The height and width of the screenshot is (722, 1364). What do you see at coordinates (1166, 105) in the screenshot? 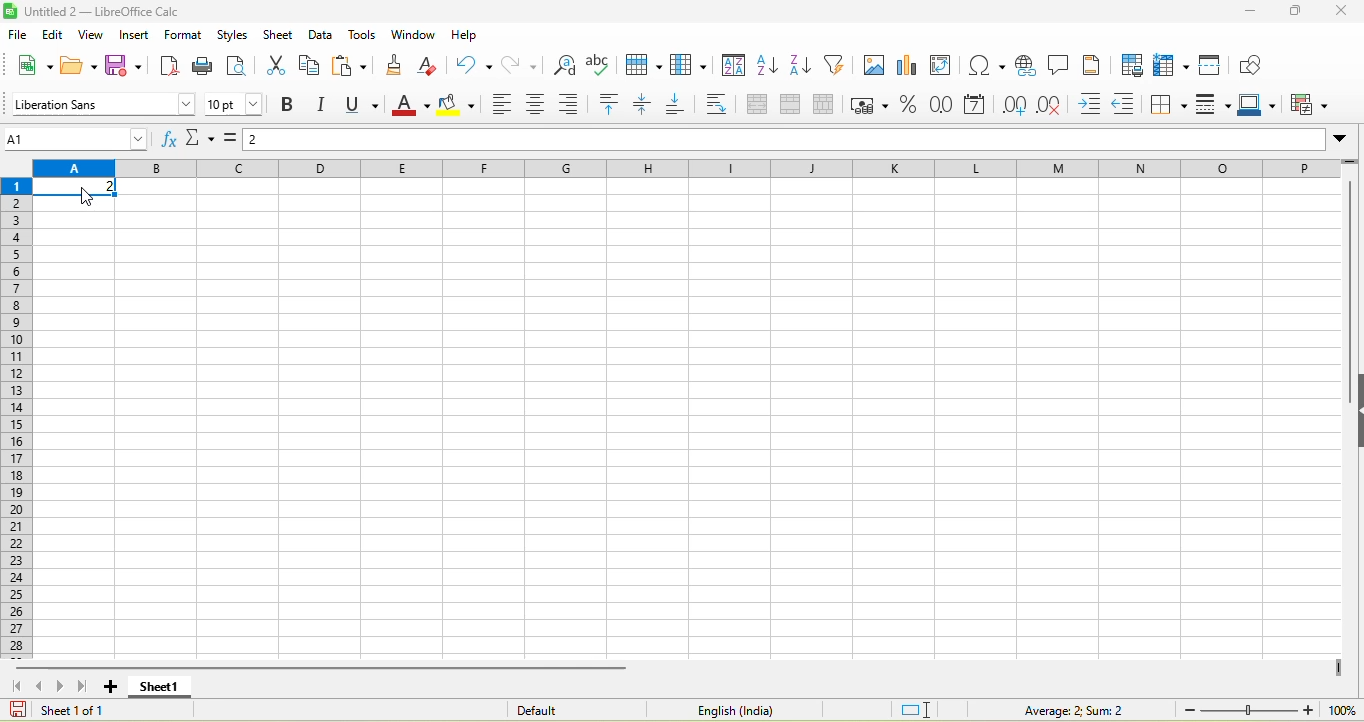
I see `borders` at bounding box center [1166, 105].